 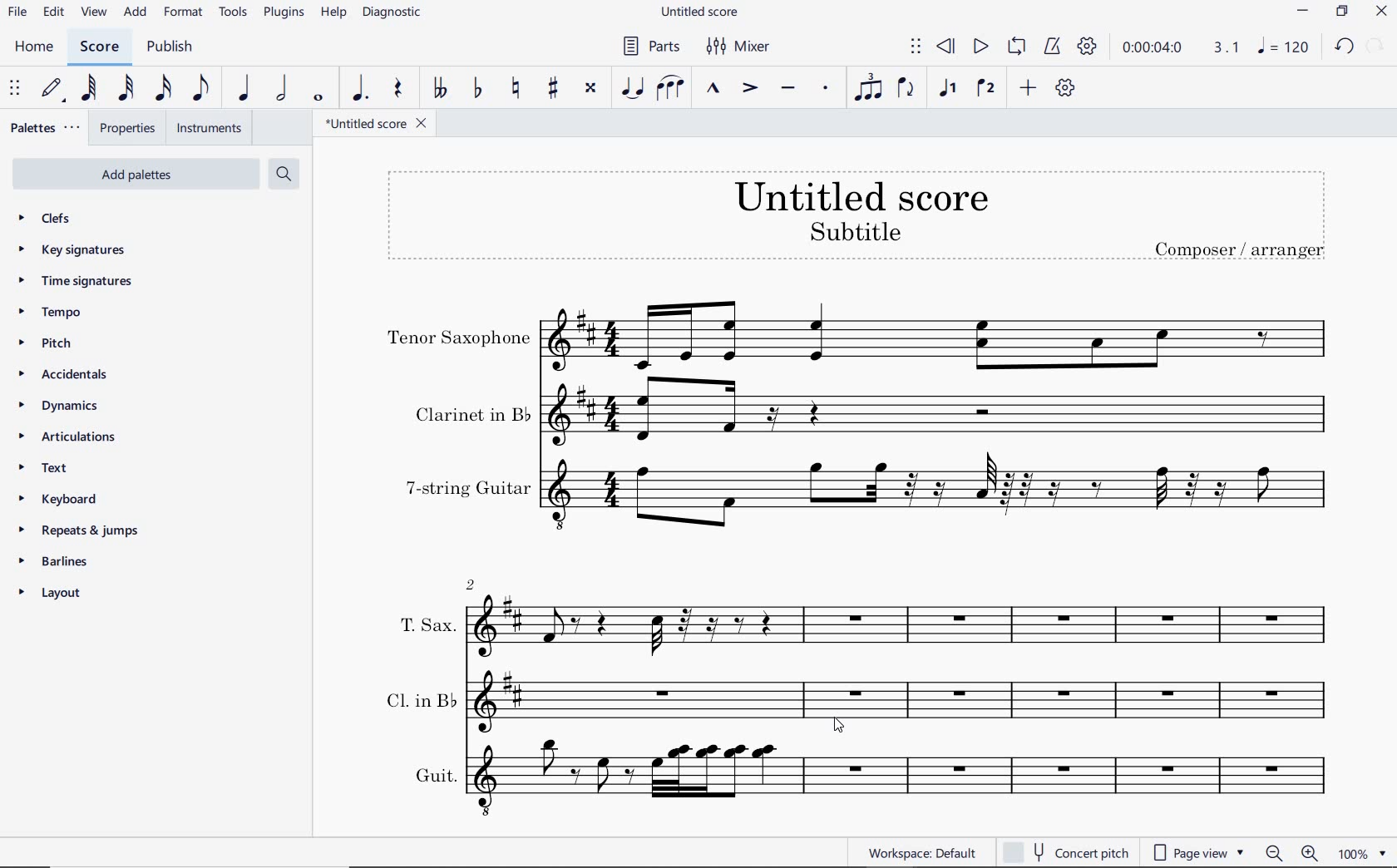 I want to click on ADD, so click(x=1030, y=87).